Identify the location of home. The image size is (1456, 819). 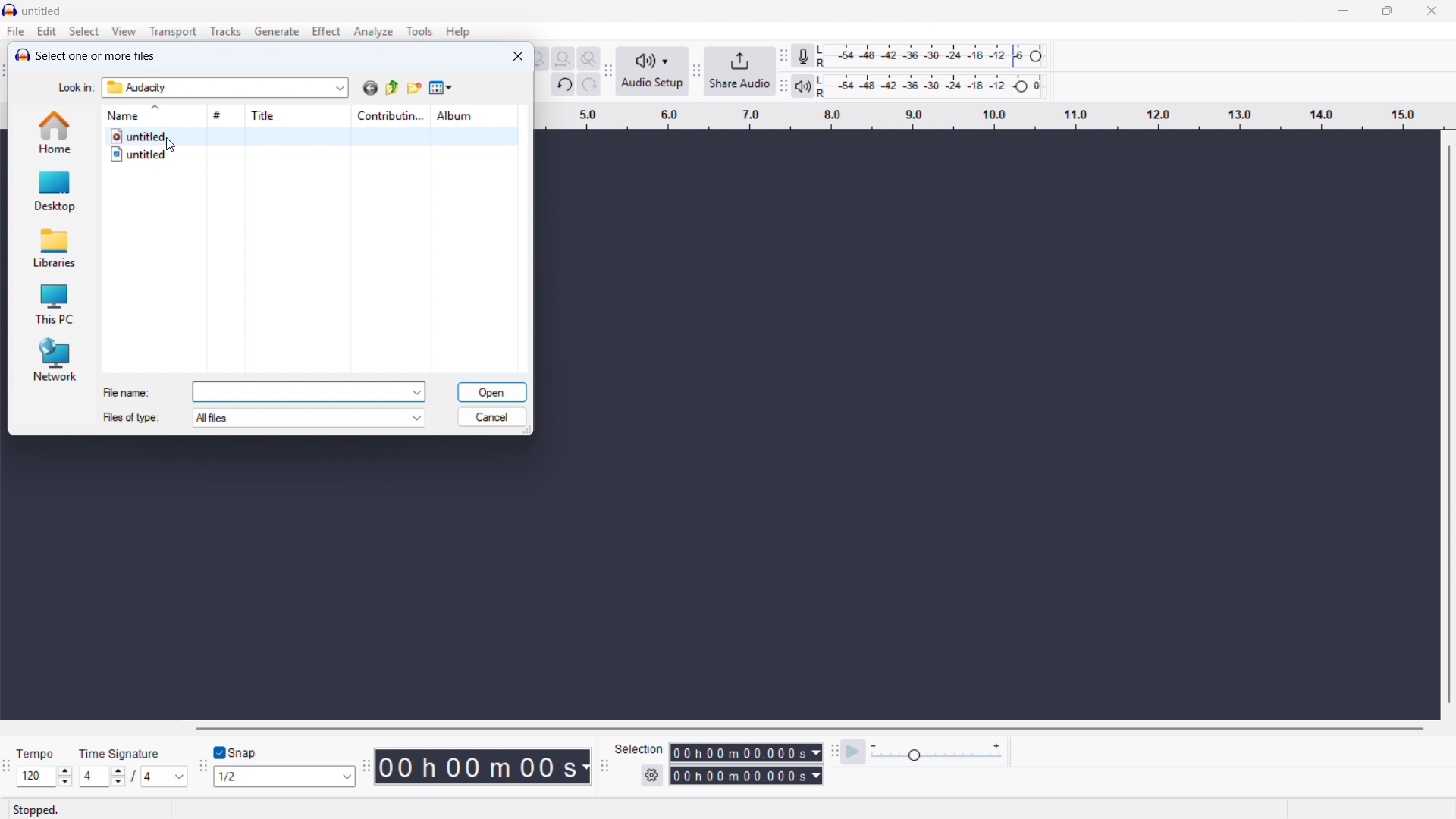
(55, 133).